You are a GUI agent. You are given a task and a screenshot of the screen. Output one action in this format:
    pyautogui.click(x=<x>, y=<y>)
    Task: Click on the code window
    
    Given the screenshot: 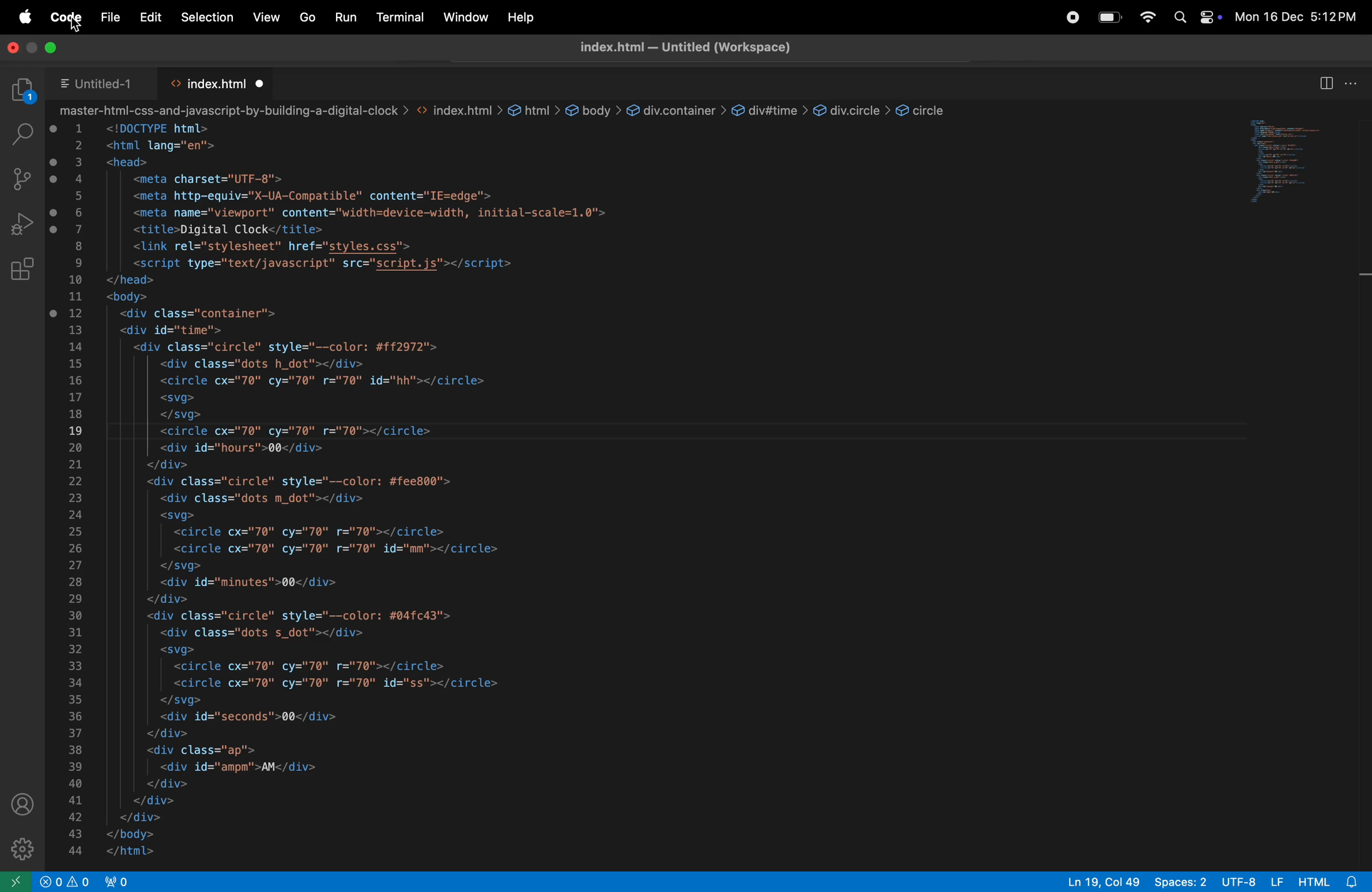 What is the action you would take?
    pyautogui.click(x=1298, y=165)
    